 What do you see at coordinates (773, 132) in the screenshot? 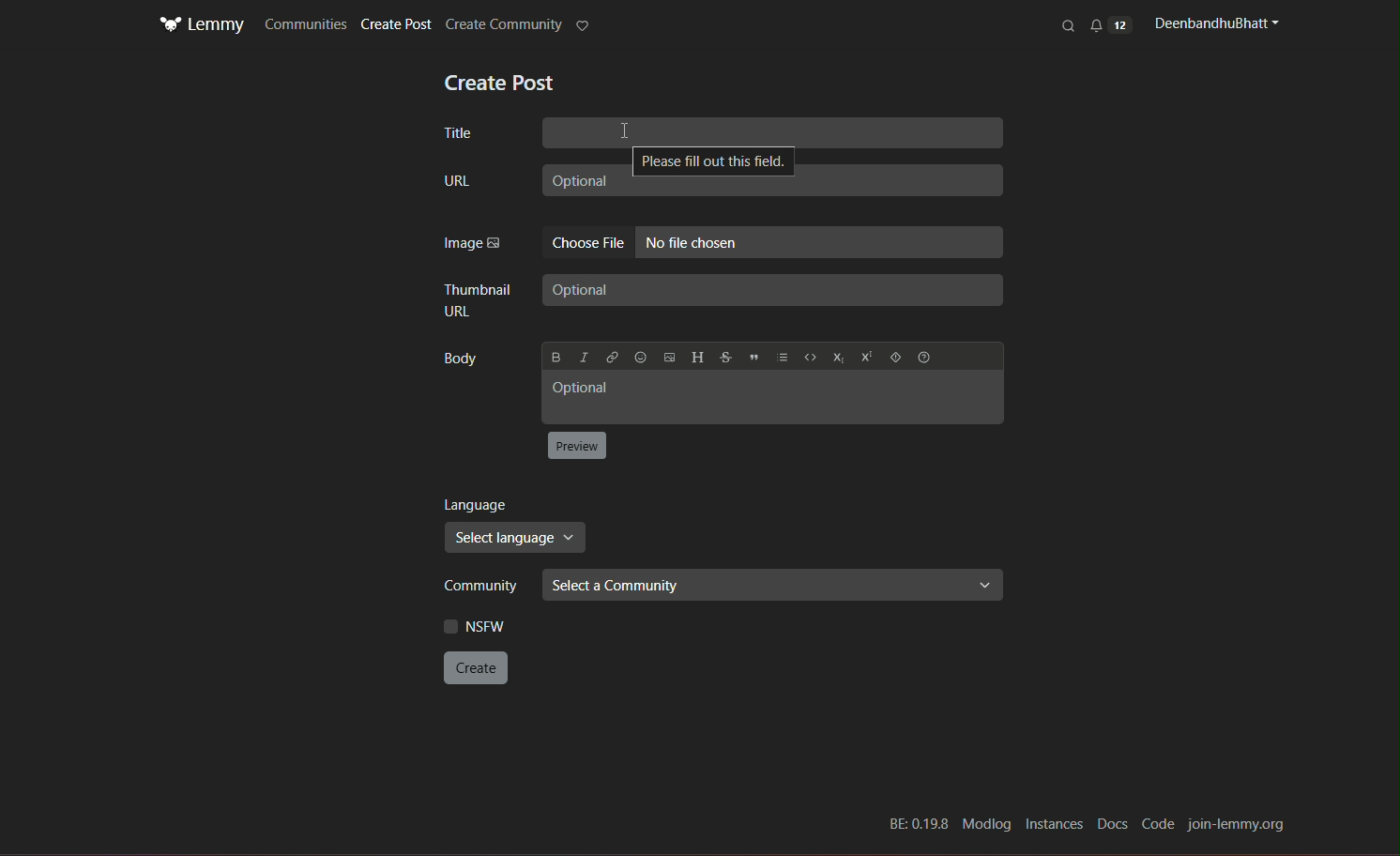
I see `title` at bounding box center [773, 132].